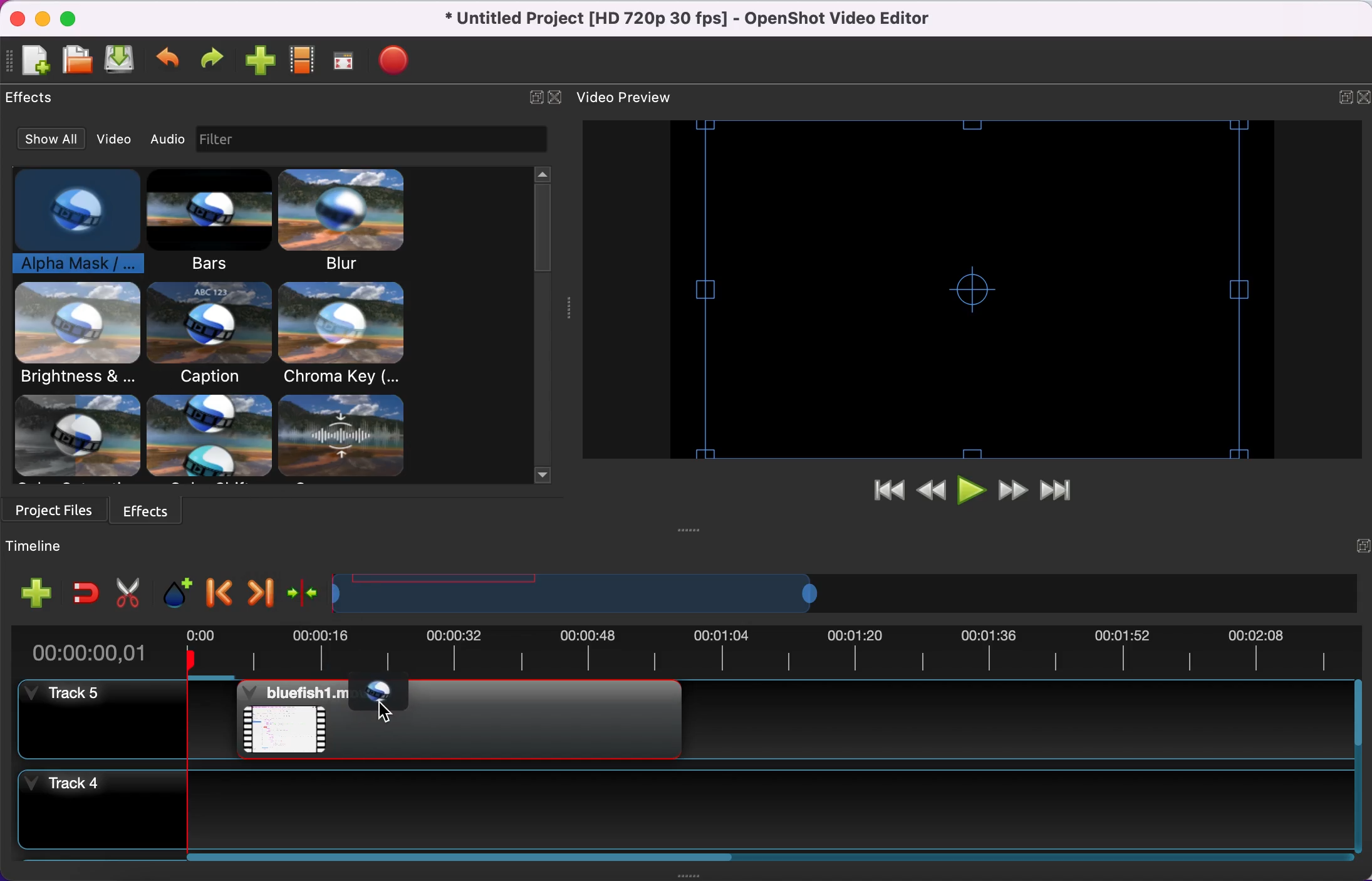  I want to click on add new file, so click(34, 63).